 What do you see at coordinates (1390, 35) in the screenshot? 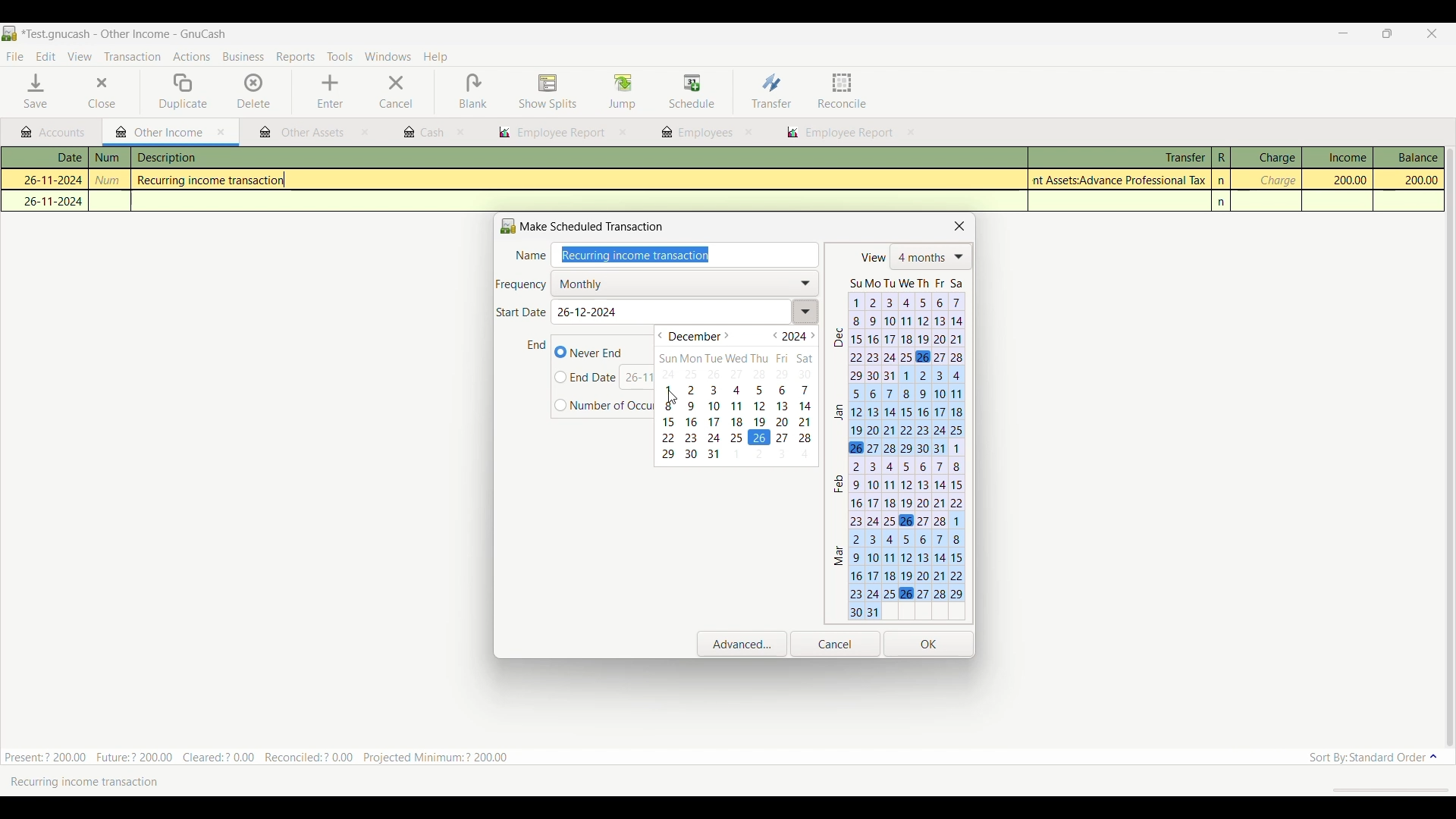
I see `Show interface in a smaller tab` at bounding box center [1390, 35].